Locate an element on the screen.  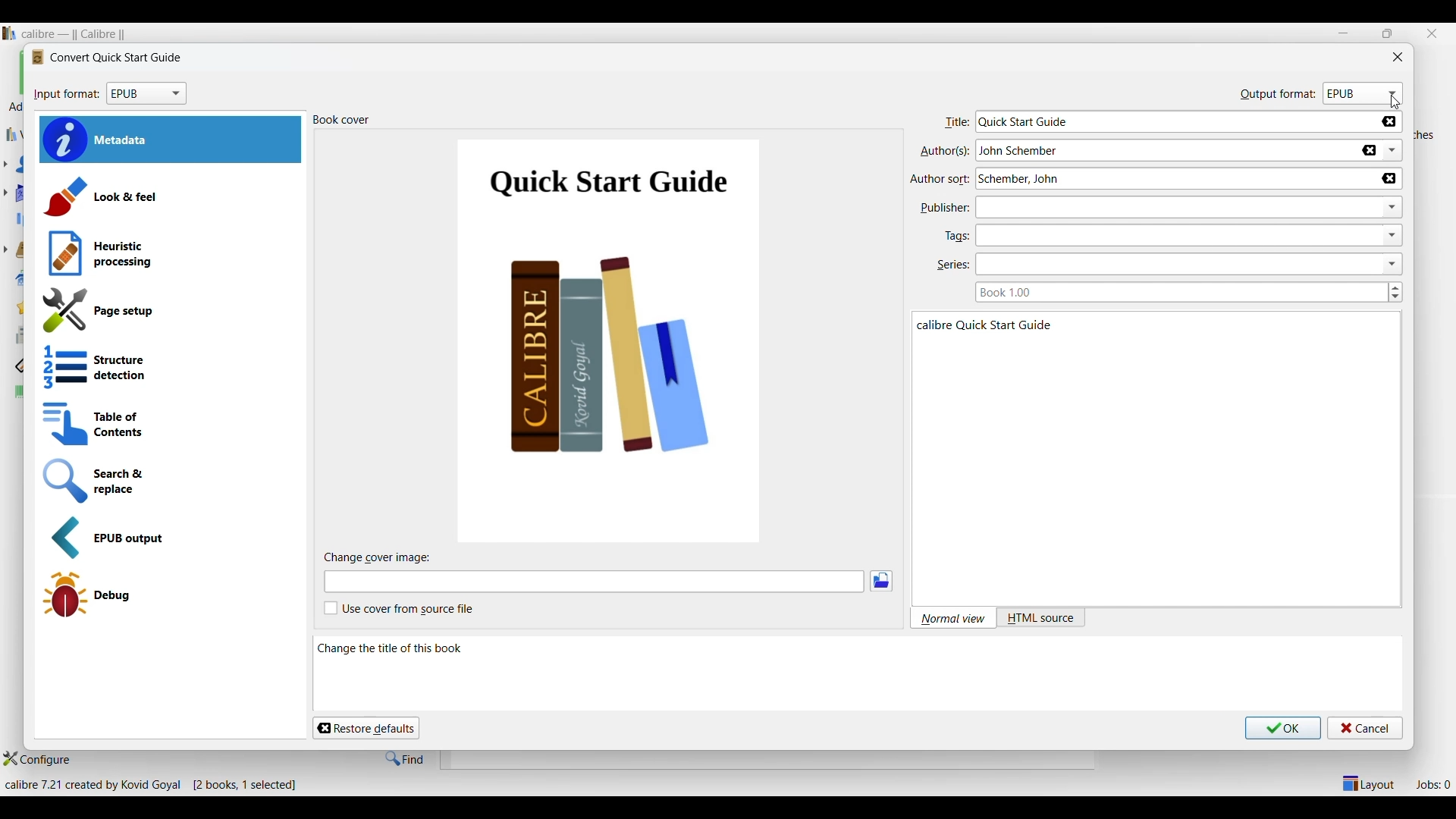
Restore defaults is located at coordinates (366, 728).